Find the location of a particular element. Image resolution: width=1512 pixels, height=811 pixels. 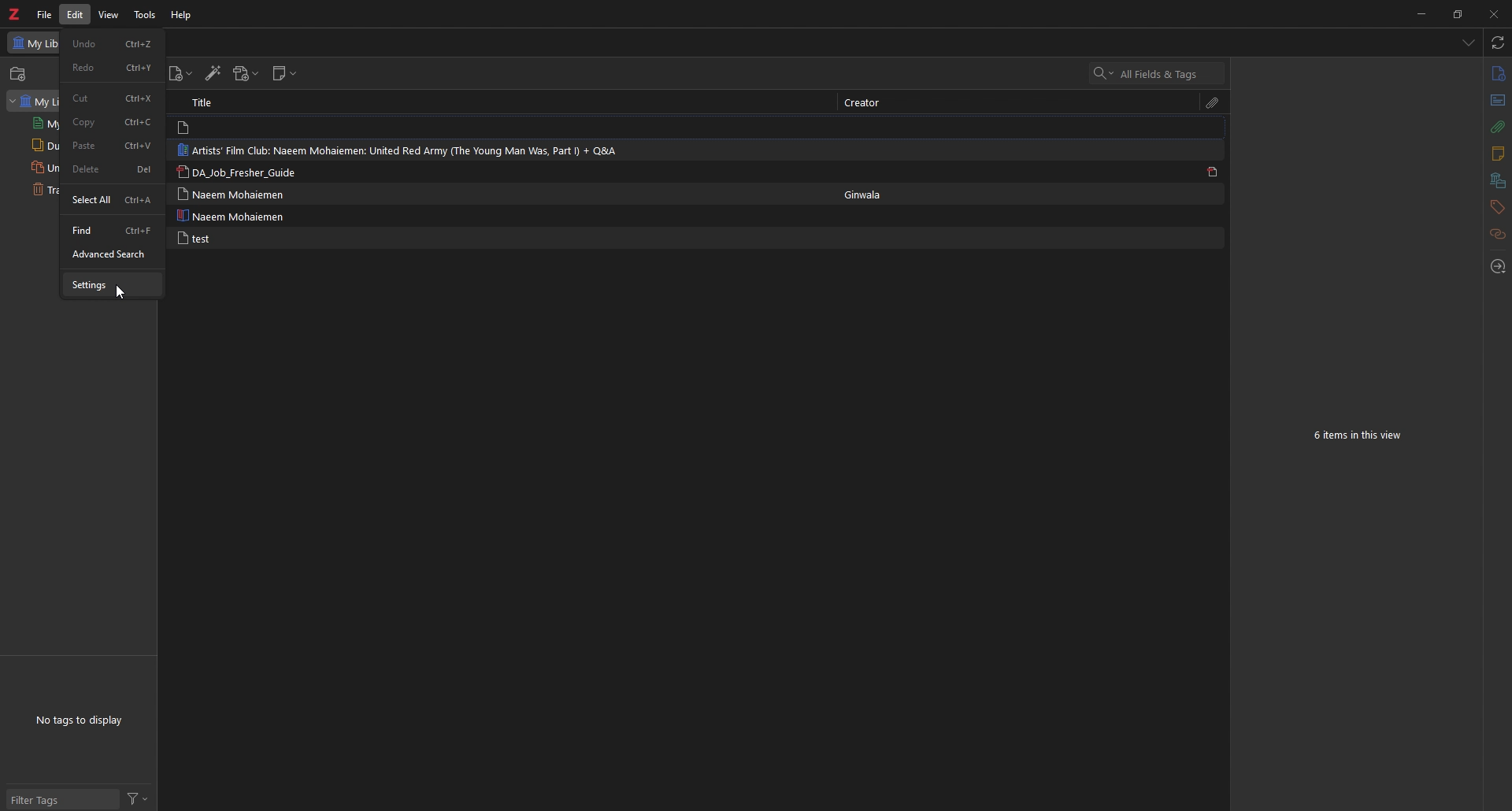

view is located at coordinates (111, 15).